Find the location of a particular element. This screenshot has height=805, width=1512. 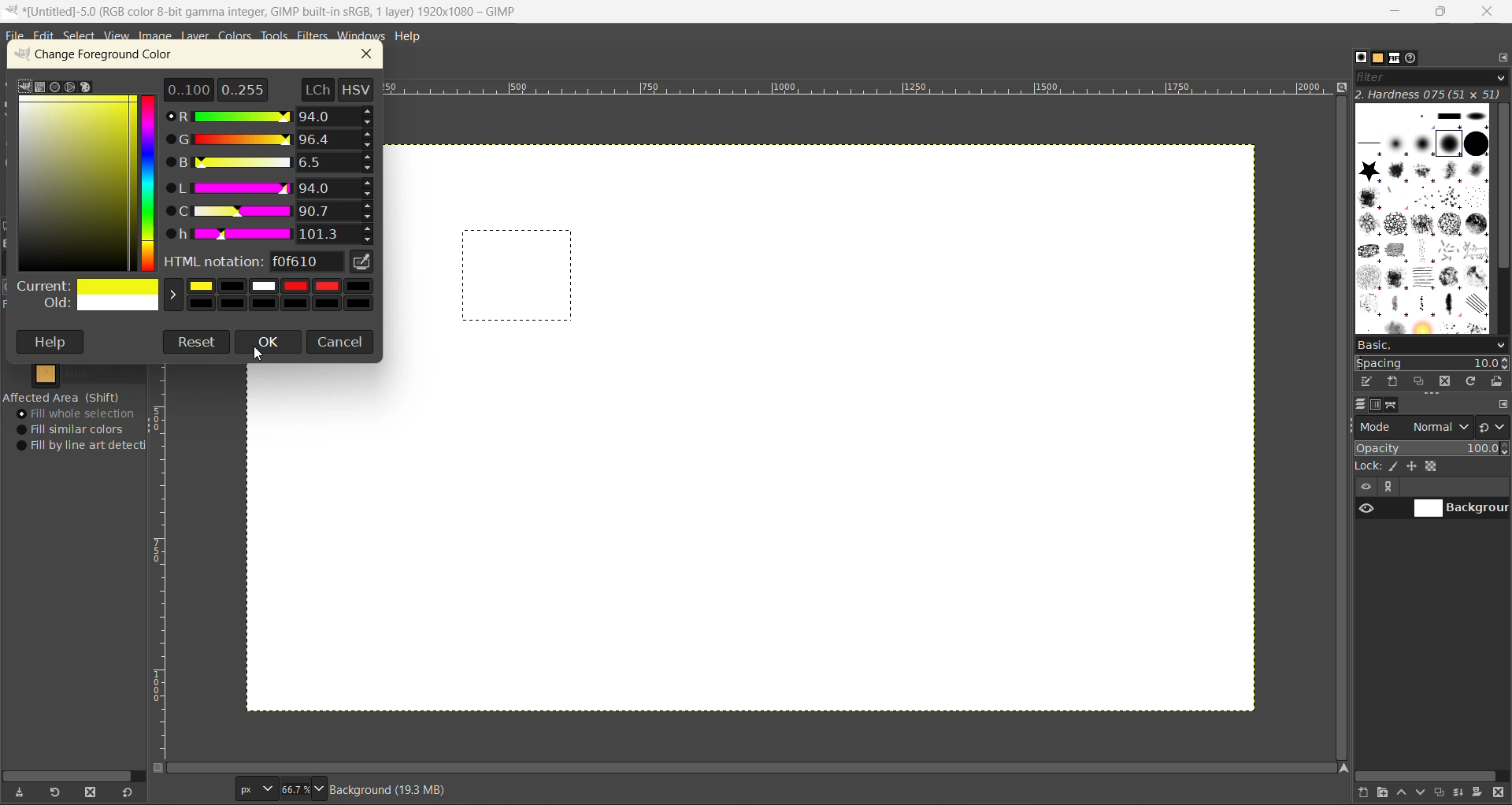

raise this layer is located at coordinates (1405, 792).